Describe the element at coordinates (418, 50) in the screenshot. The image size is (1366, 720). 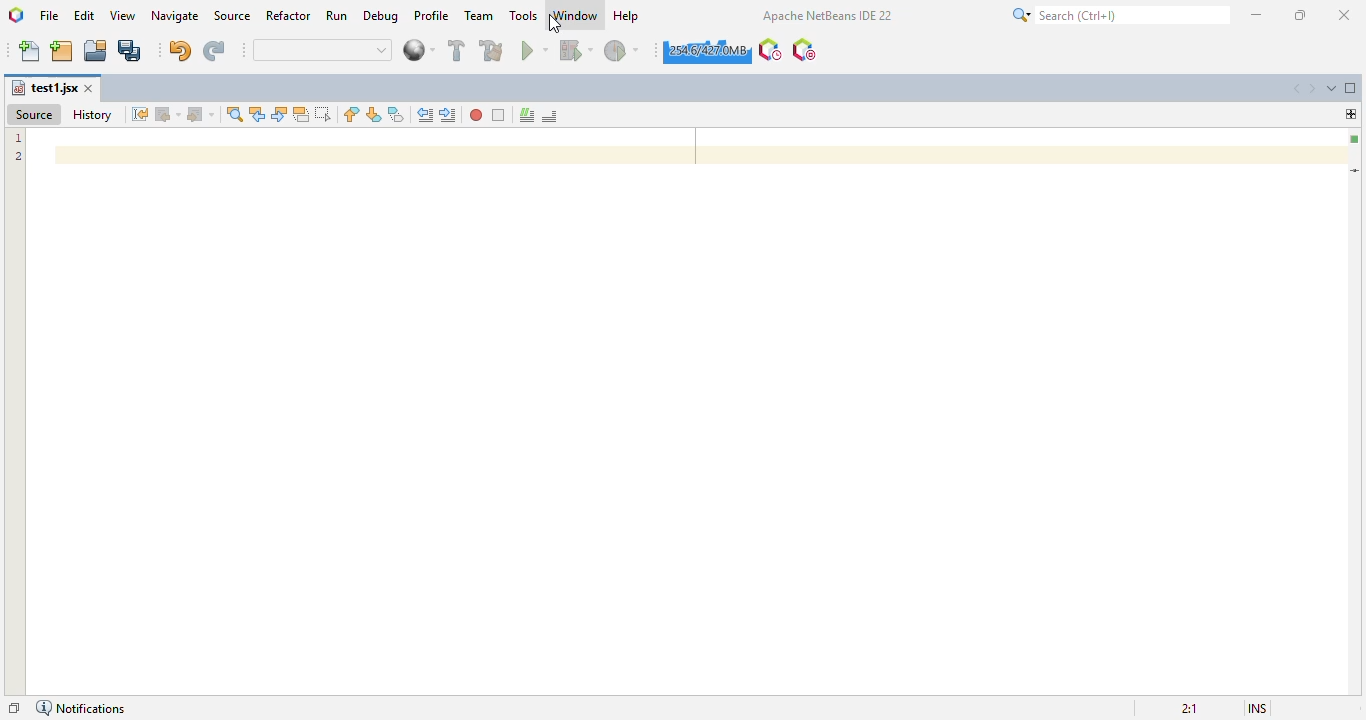
I see `web browser` at that location.